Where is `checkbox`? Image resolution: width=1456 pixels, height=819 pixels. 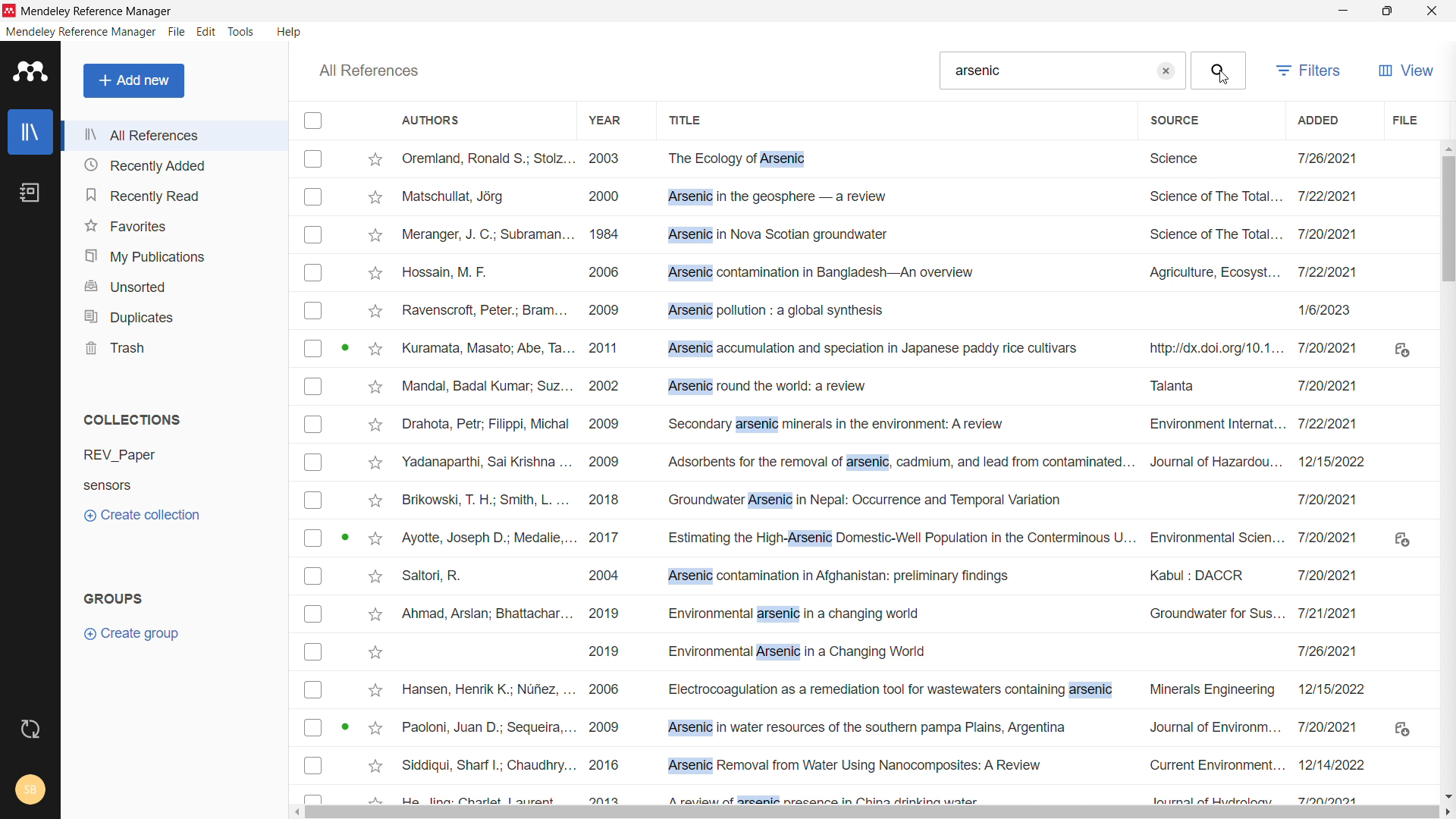
checkbox is located at coordinates (313, 120).